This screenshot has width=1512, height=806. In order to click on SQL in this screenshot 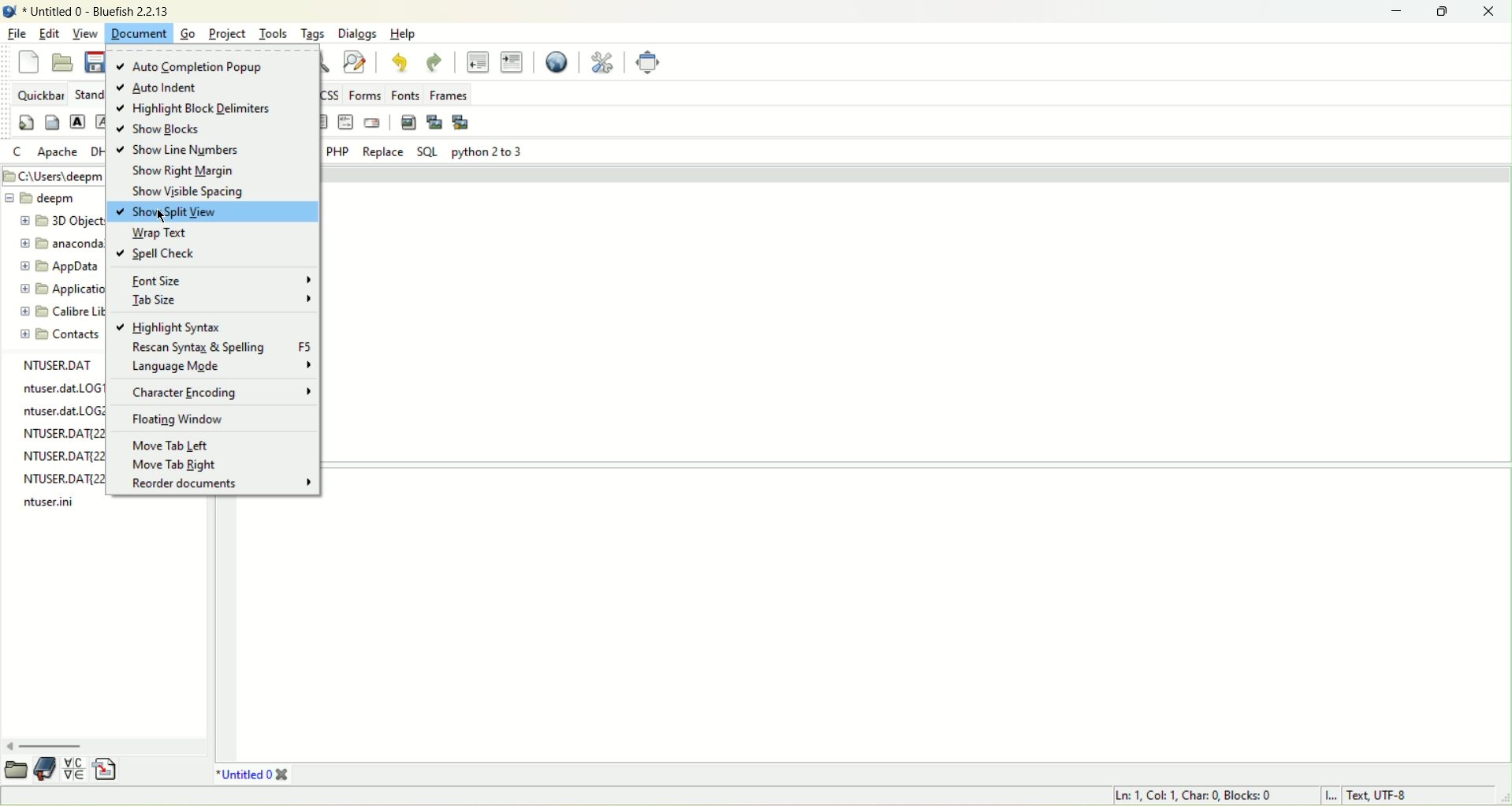, I will do `click(430, 152)`.